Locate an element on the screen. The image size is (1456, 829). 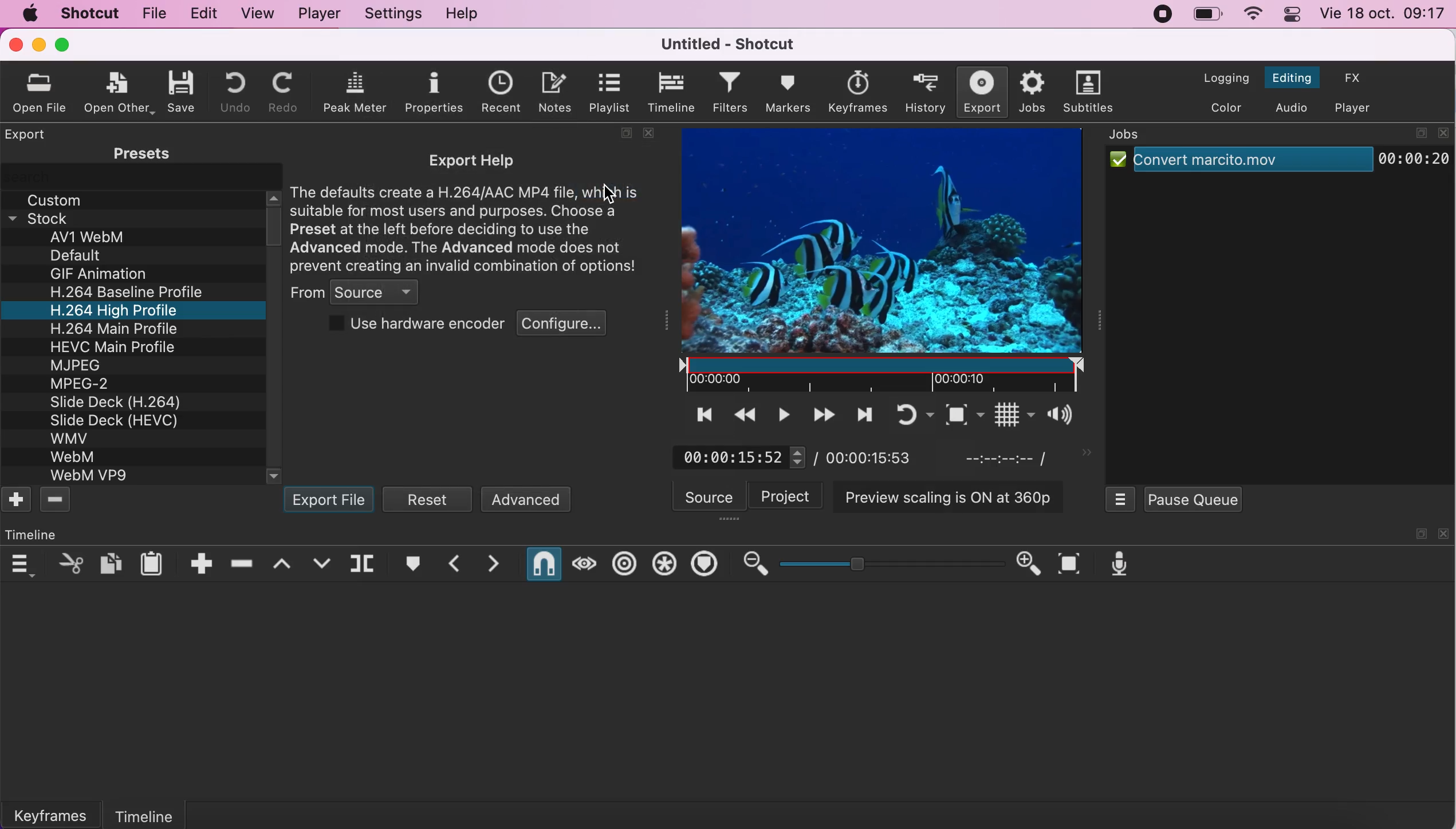
custom is located at coordinates (59, 198).